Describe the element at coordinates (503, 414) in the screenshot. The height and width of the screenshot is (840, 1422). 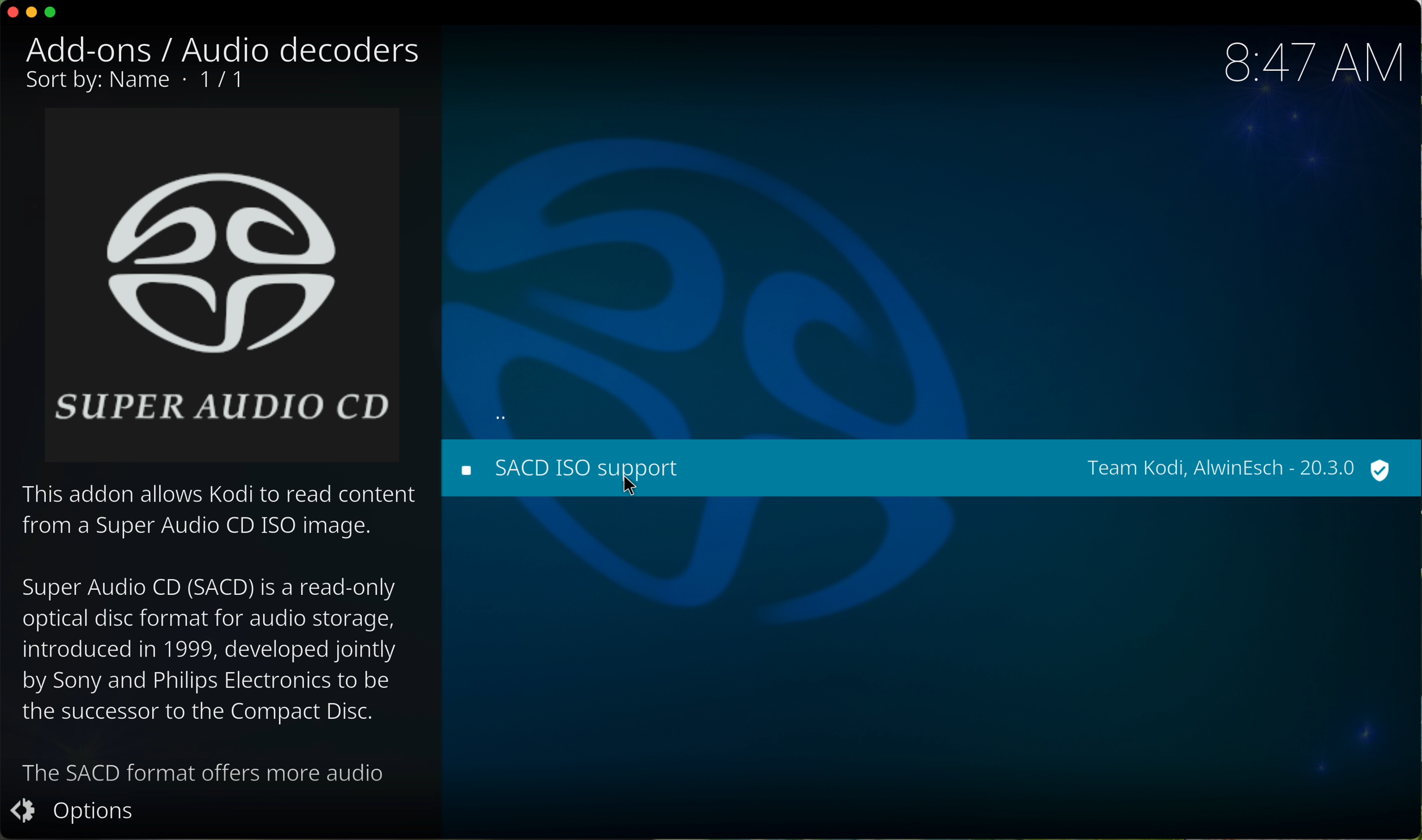
I see `back` at that location.